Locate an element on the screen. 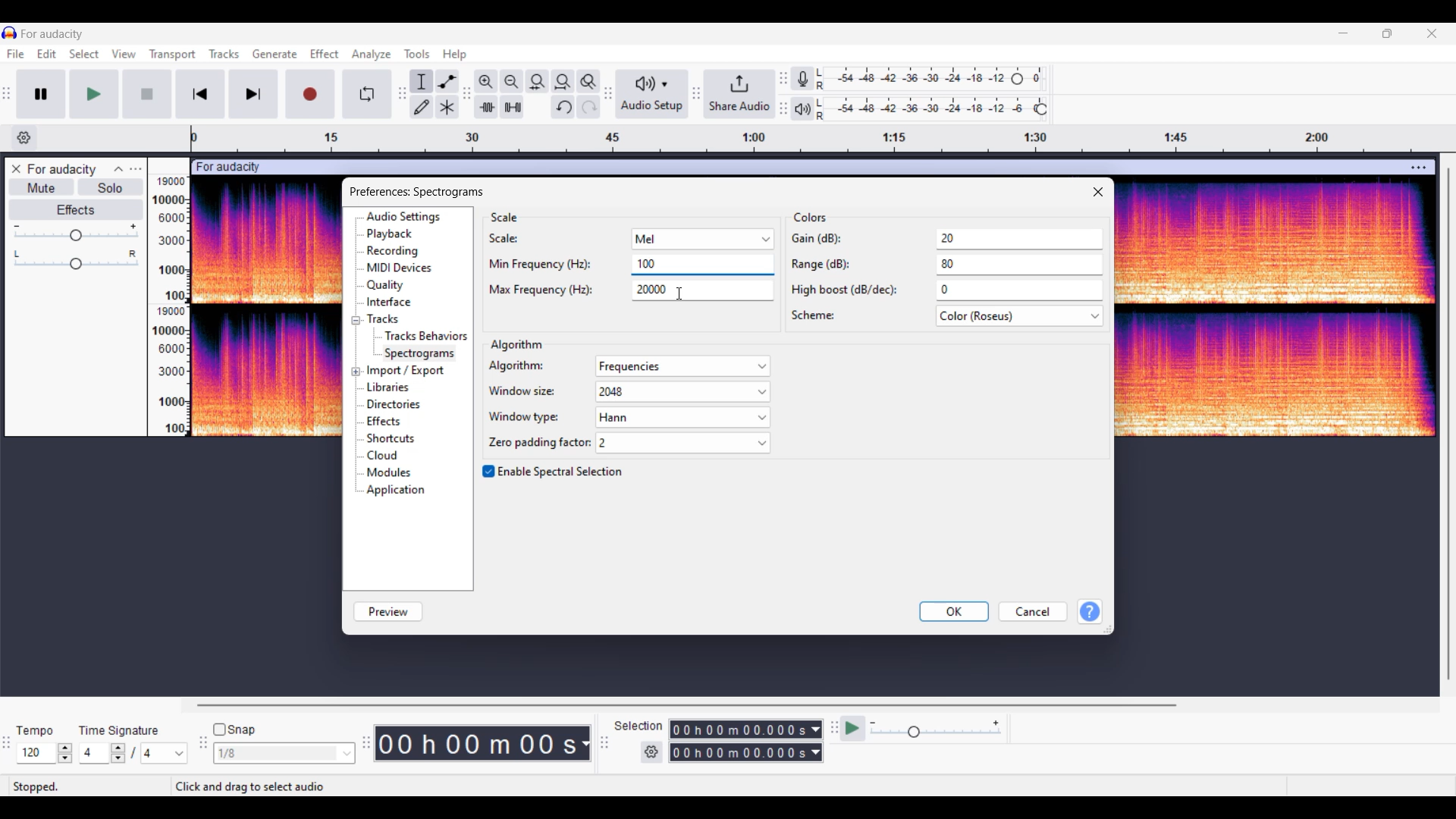  Transport menu is located at coordinates (173, 55).